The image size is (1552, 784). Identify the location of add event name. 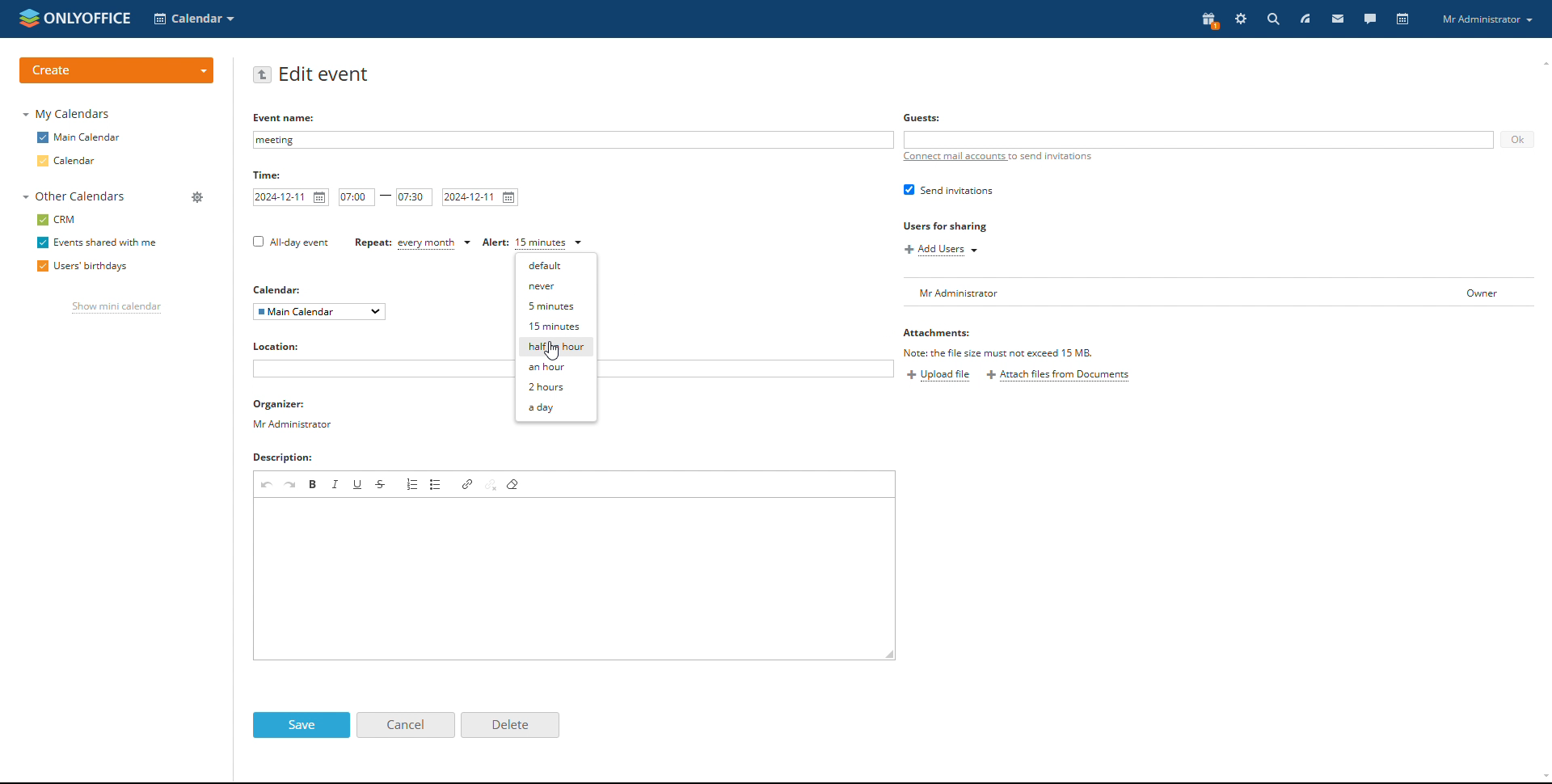
(573, 141).